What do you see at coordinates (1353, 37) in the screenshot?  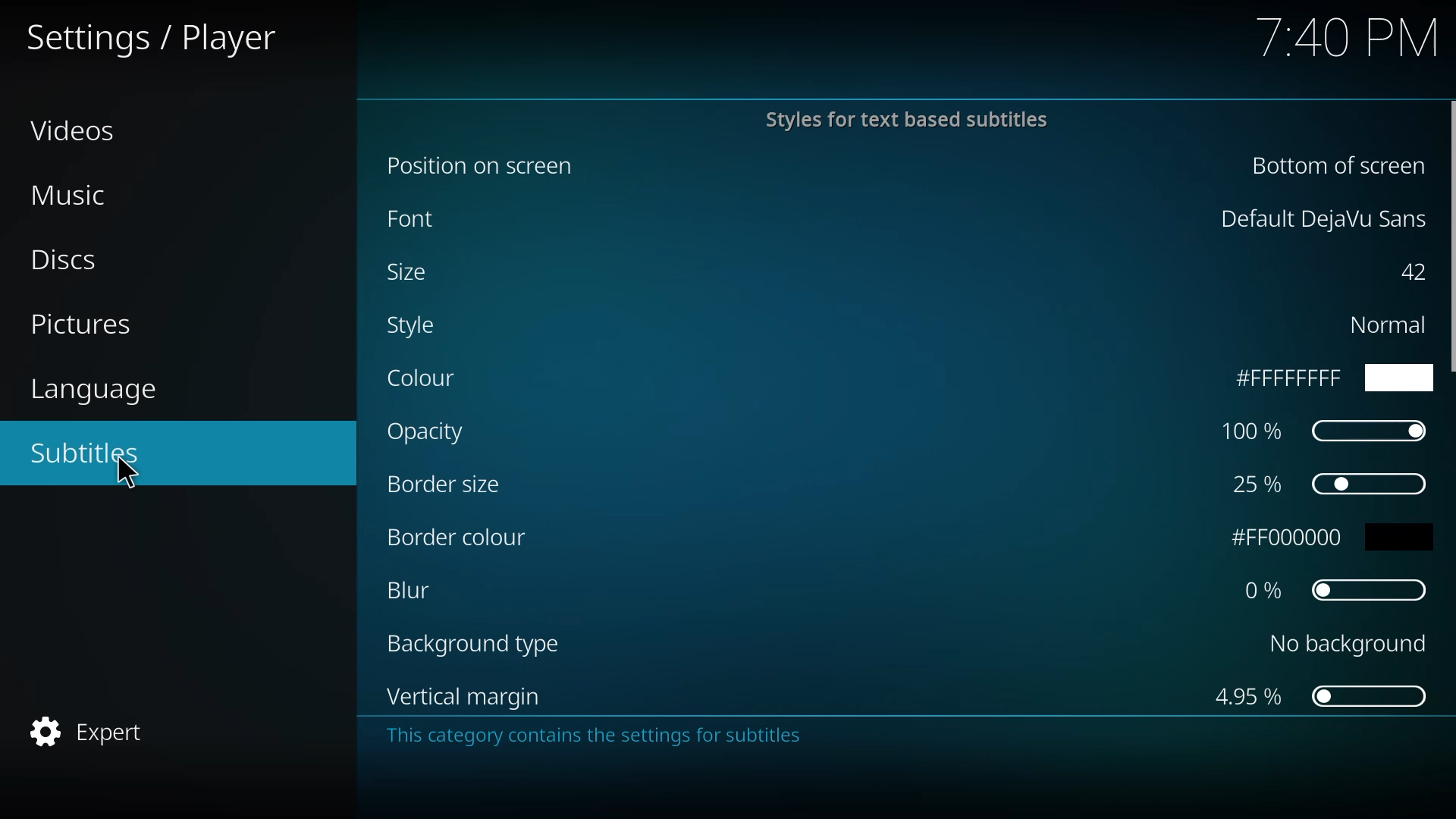 I see `time` at bounding box center [1353, 37].